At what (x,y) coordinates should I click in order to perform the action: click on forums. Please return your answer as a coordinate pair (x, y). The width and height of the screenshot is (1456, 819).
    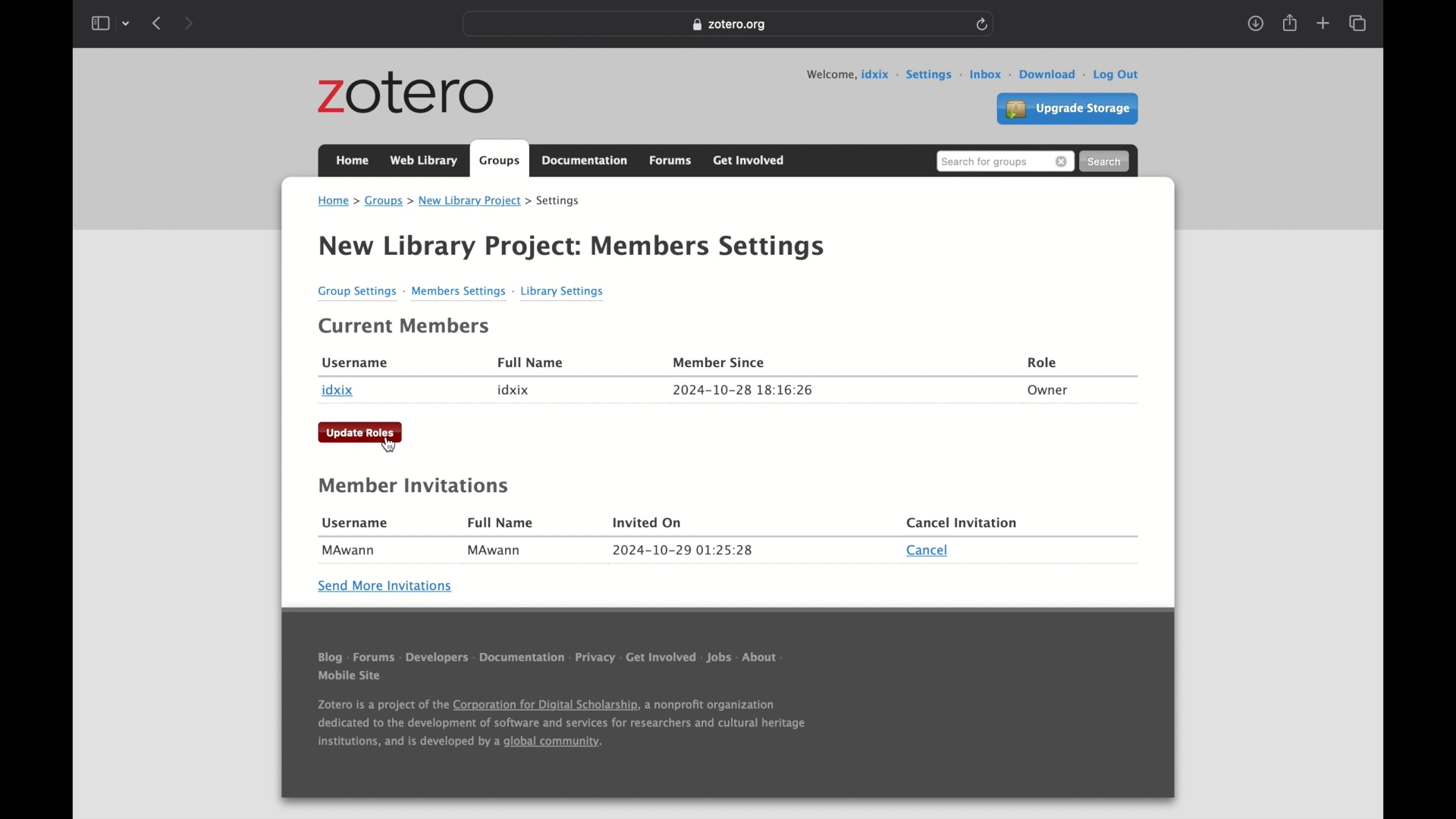
    Looking at the image, I should click on (372, 655).